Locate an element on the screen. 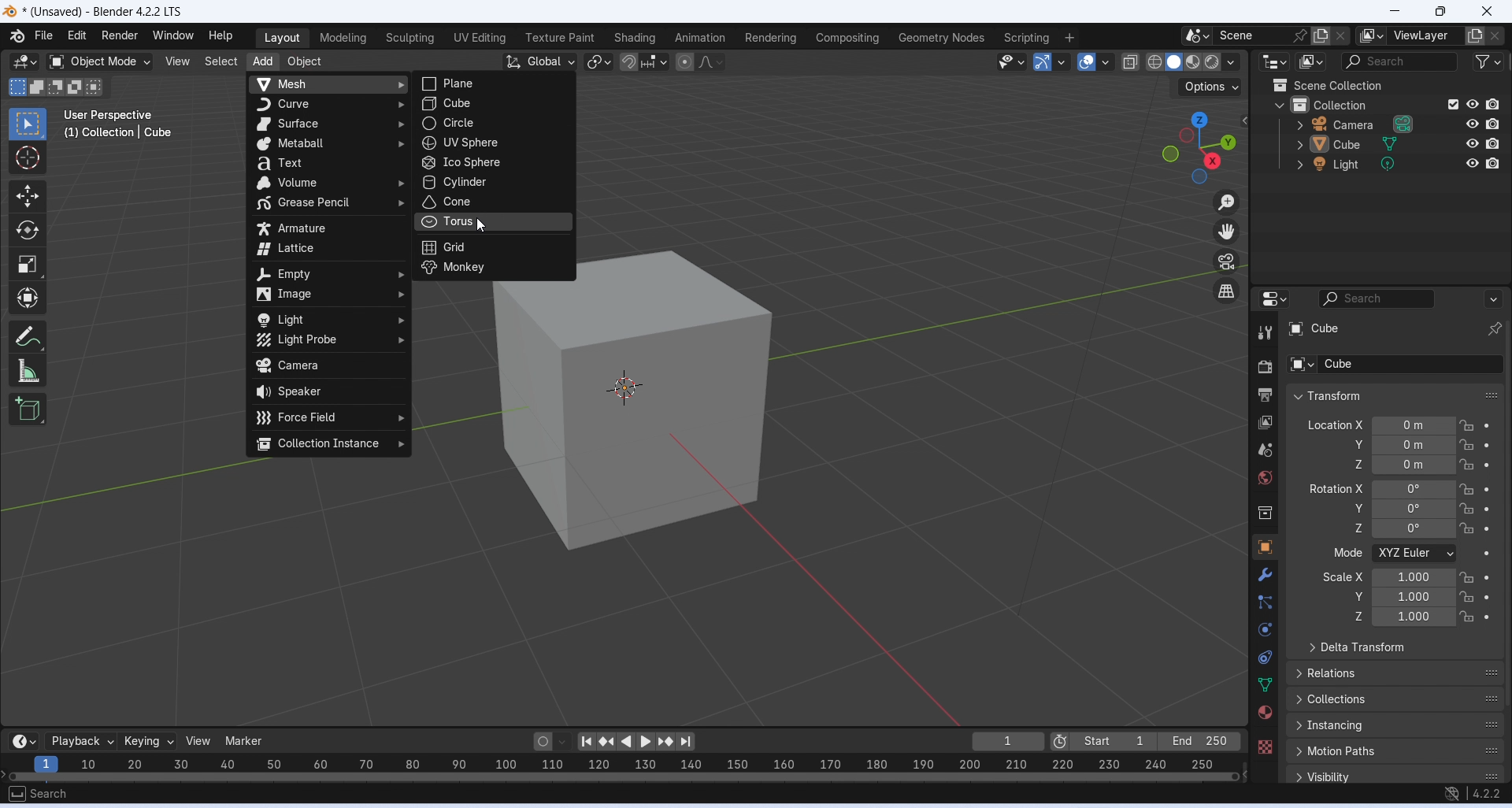 Image resolution: width=1512 pixels, height=808 pixels. View layer is located at coordinates (1266, 424).